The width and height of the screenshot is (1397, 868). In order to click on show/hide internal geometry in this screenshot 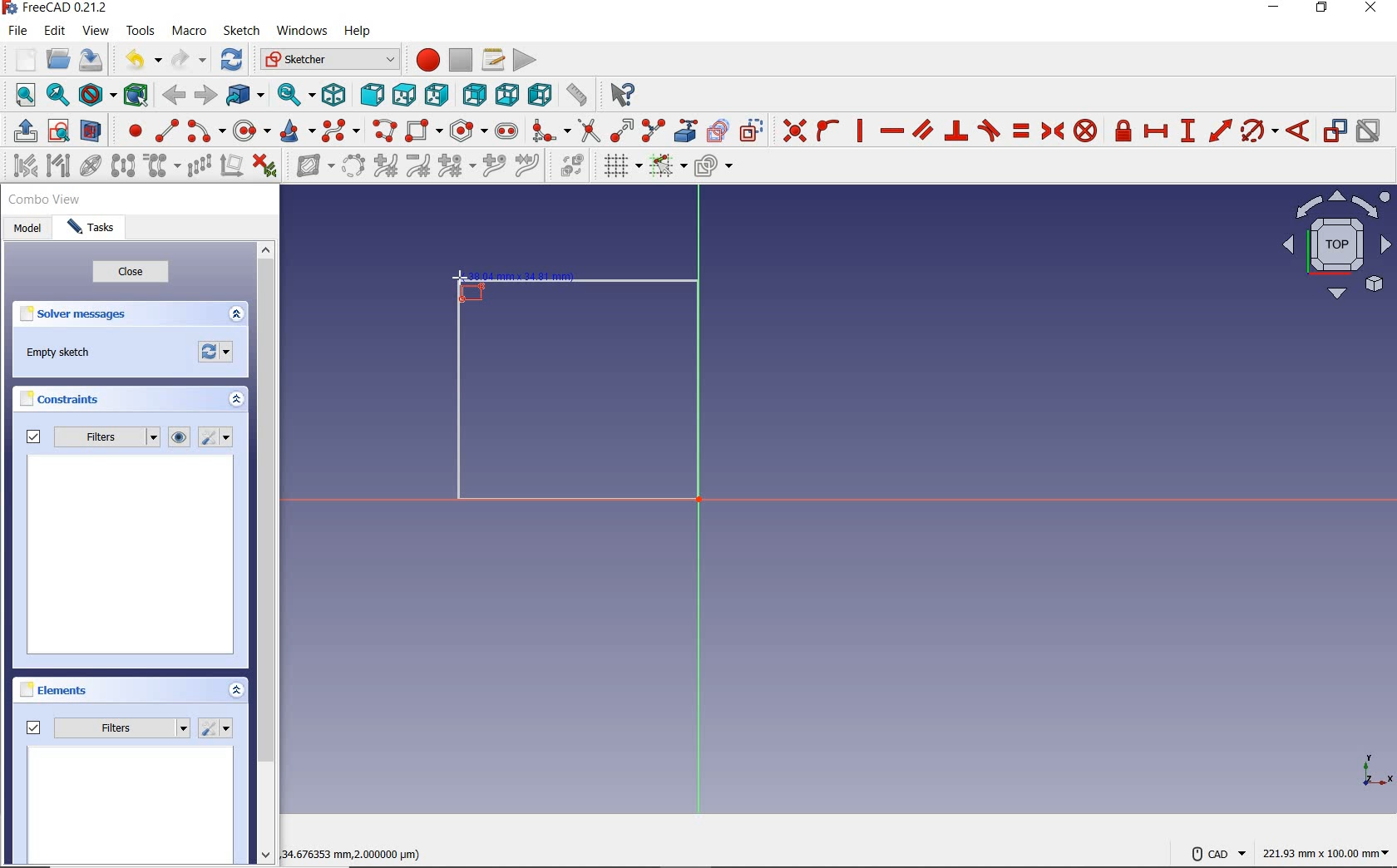, I will do `click(91, 168)`.